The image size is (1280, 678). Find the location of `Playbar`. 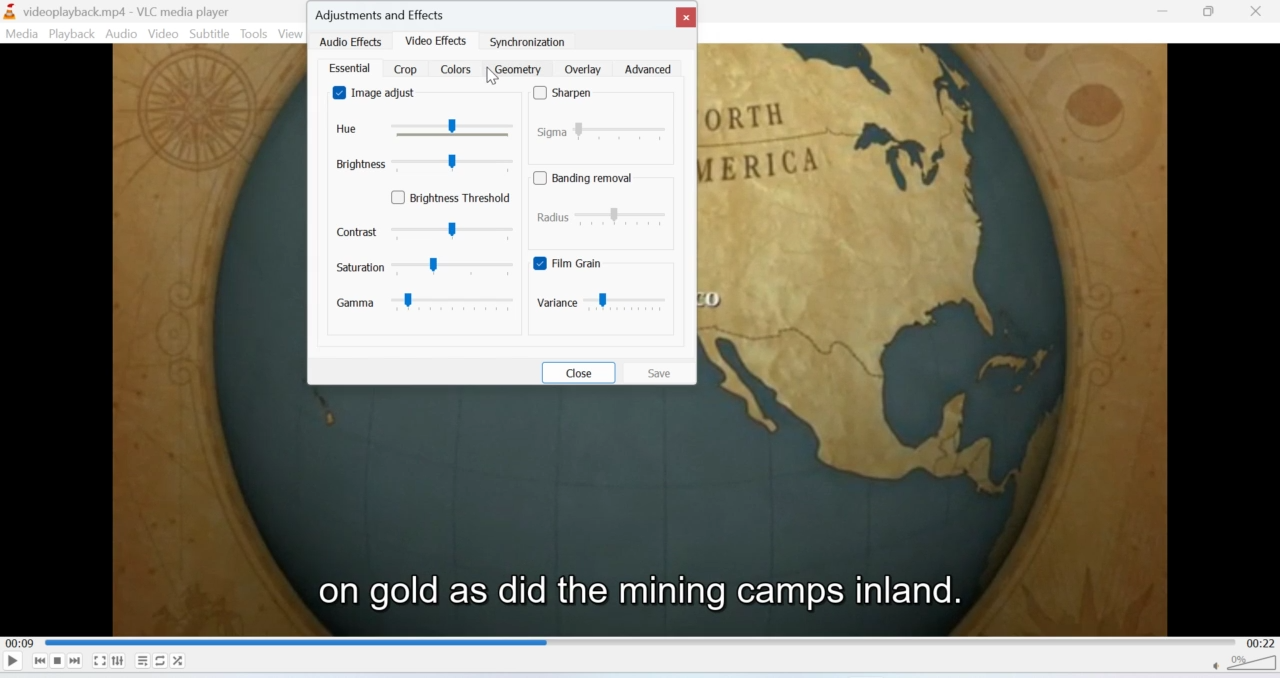

Playbar is located at coordinates (642, 642).